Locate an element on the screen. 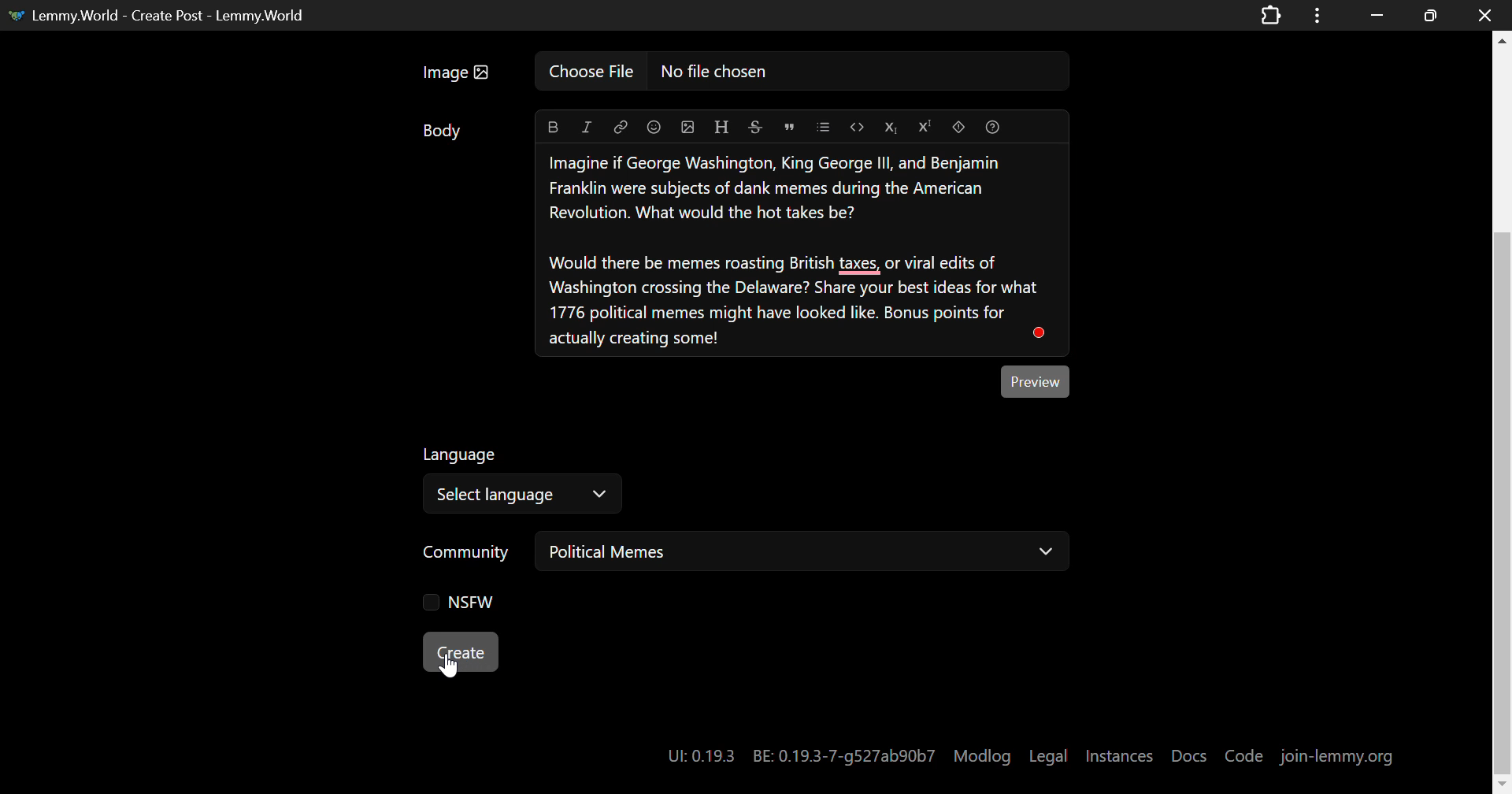  Create is located at coordinates (460, 651).